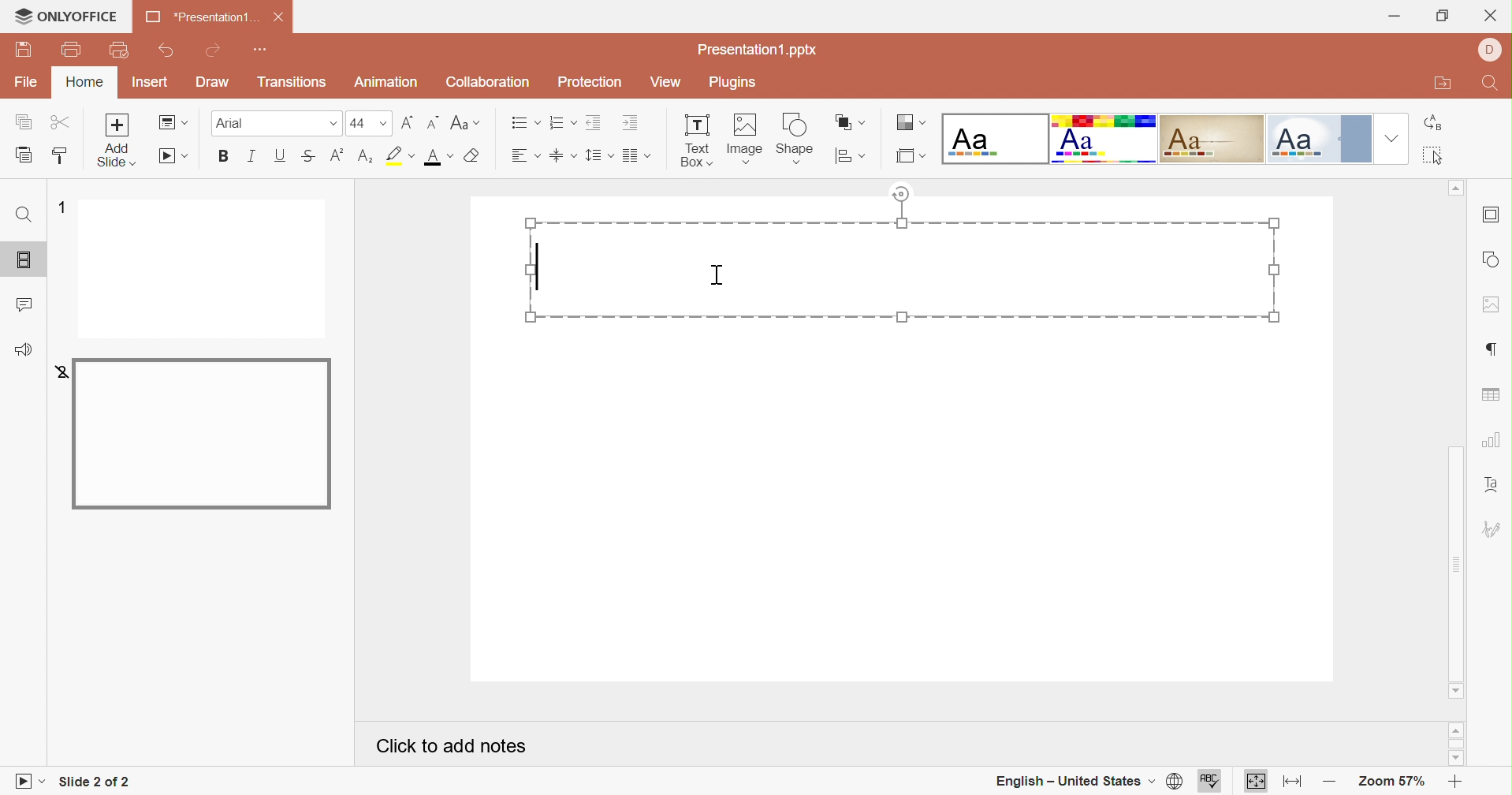 This screenshot has width=1512, height=795. What do you see at coordinates (540, 265) in the screenshot?
I see `Typing cursor` at bounding box center [540, 265].